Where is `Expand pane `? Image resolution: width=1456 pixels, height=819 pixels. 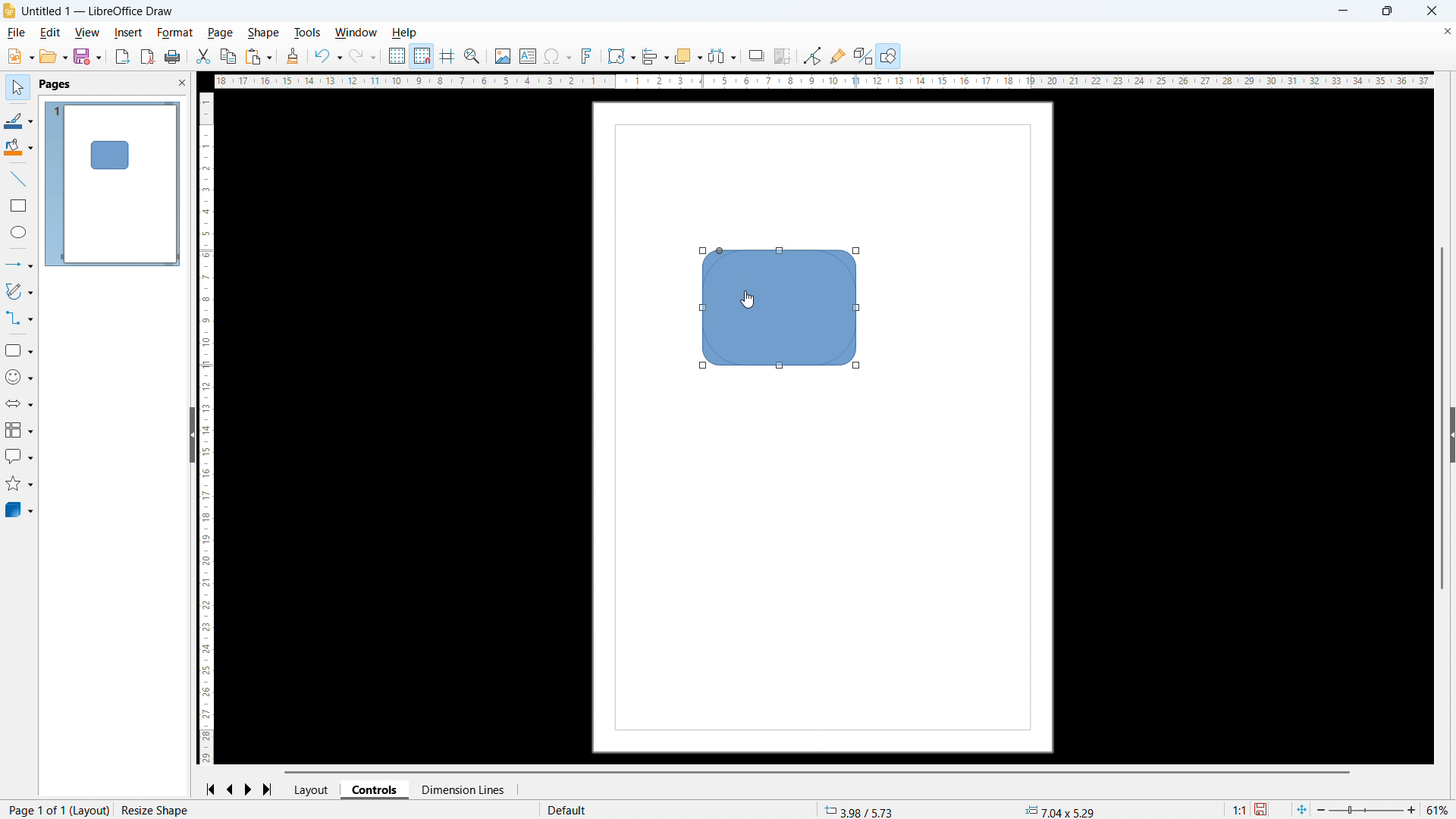 Expand pane  is located at coordinates (1453, 434).